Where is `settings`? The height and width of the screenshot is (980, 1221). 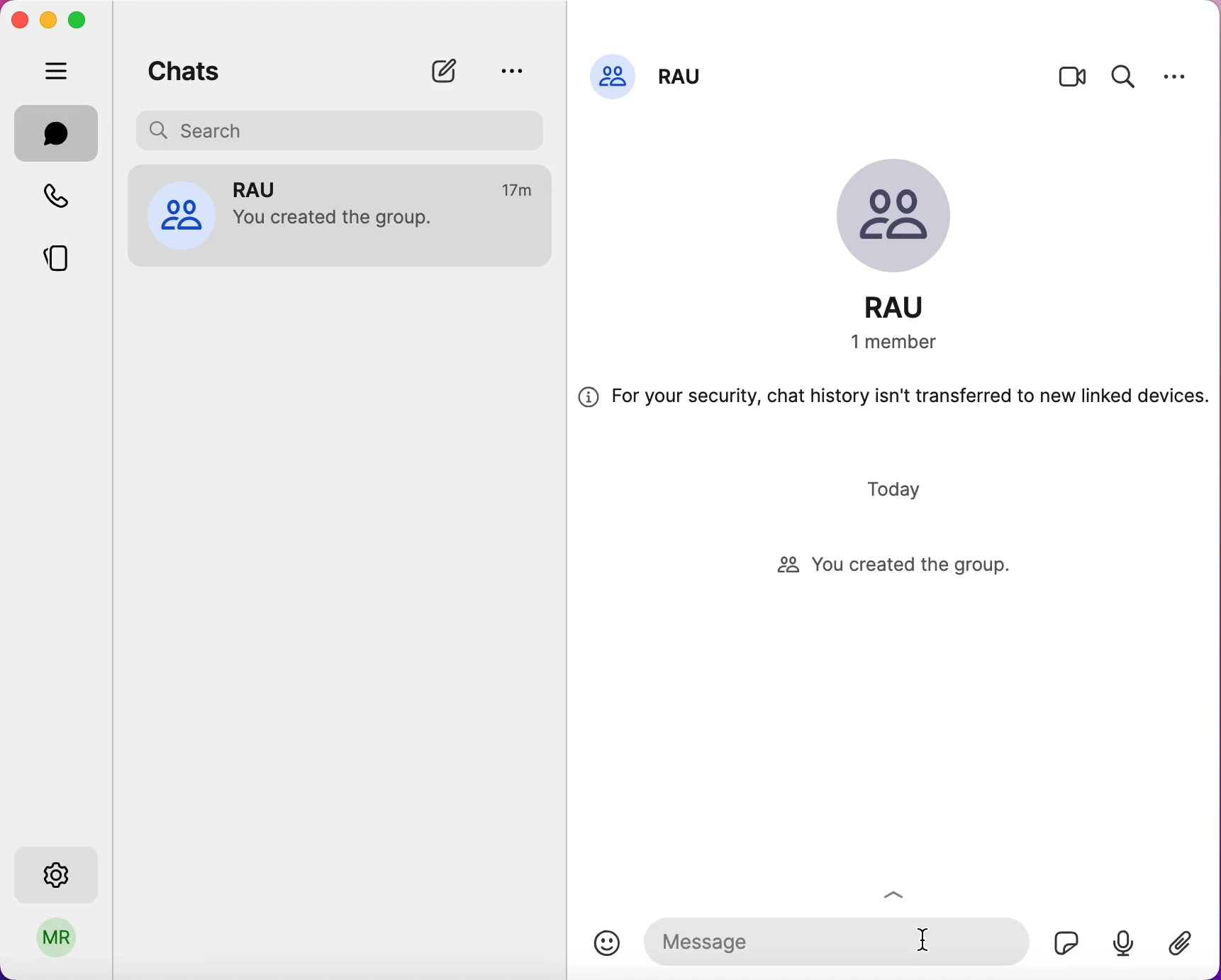
settings is located at coordinates (60, 871).